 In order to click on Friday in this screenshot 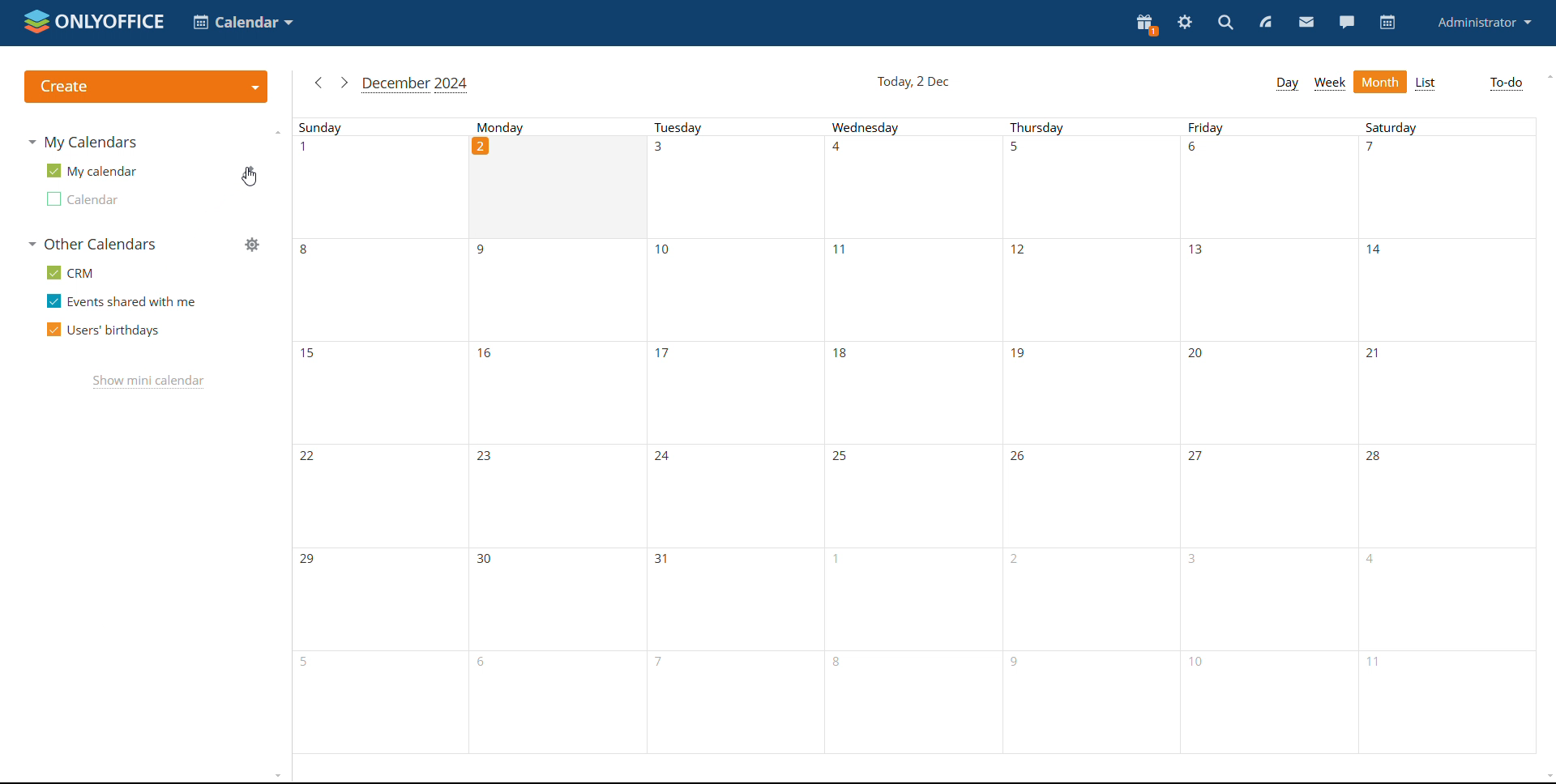, I will do `click(1267, 446)`.